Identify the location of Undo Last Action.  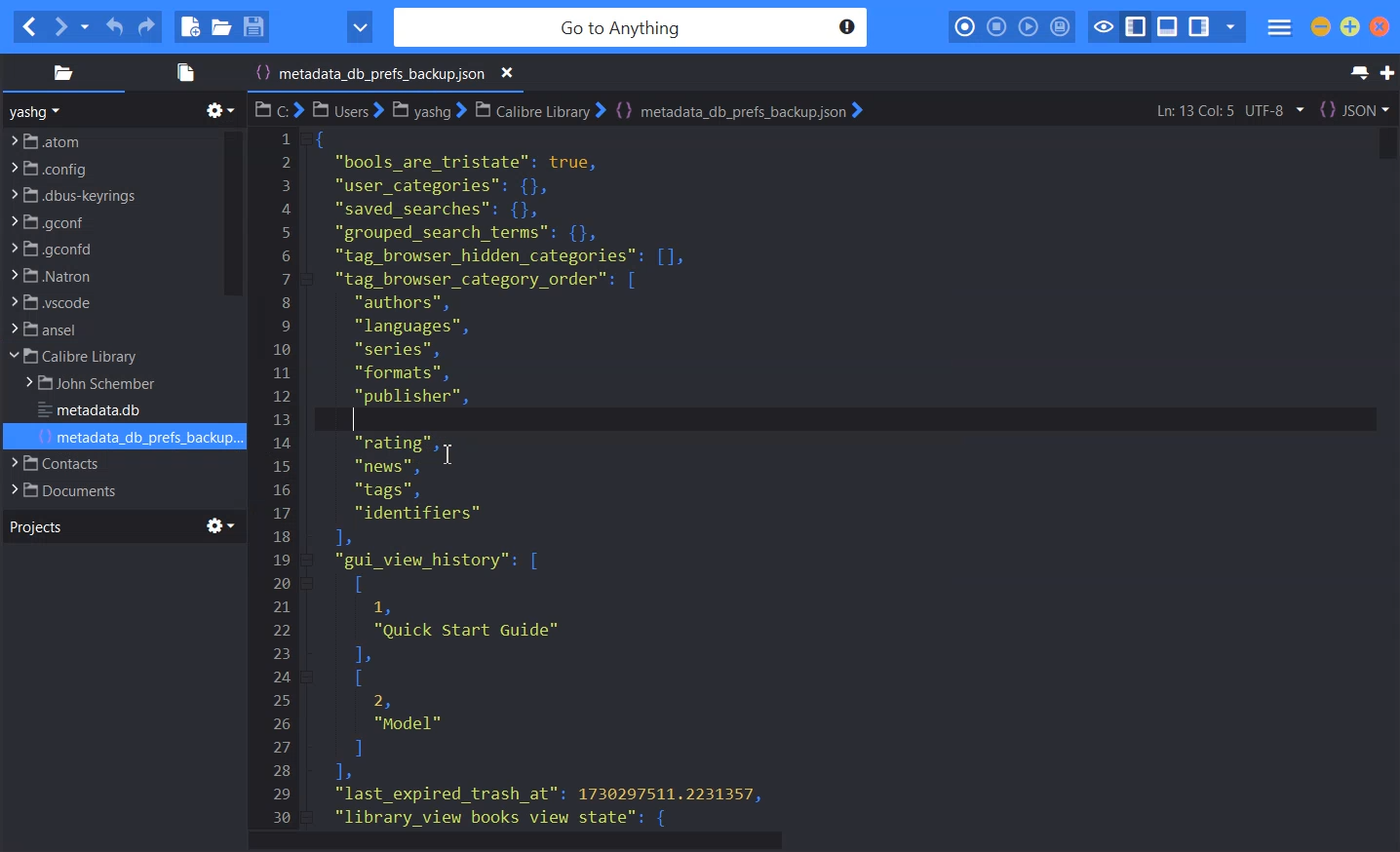
(116, 27).